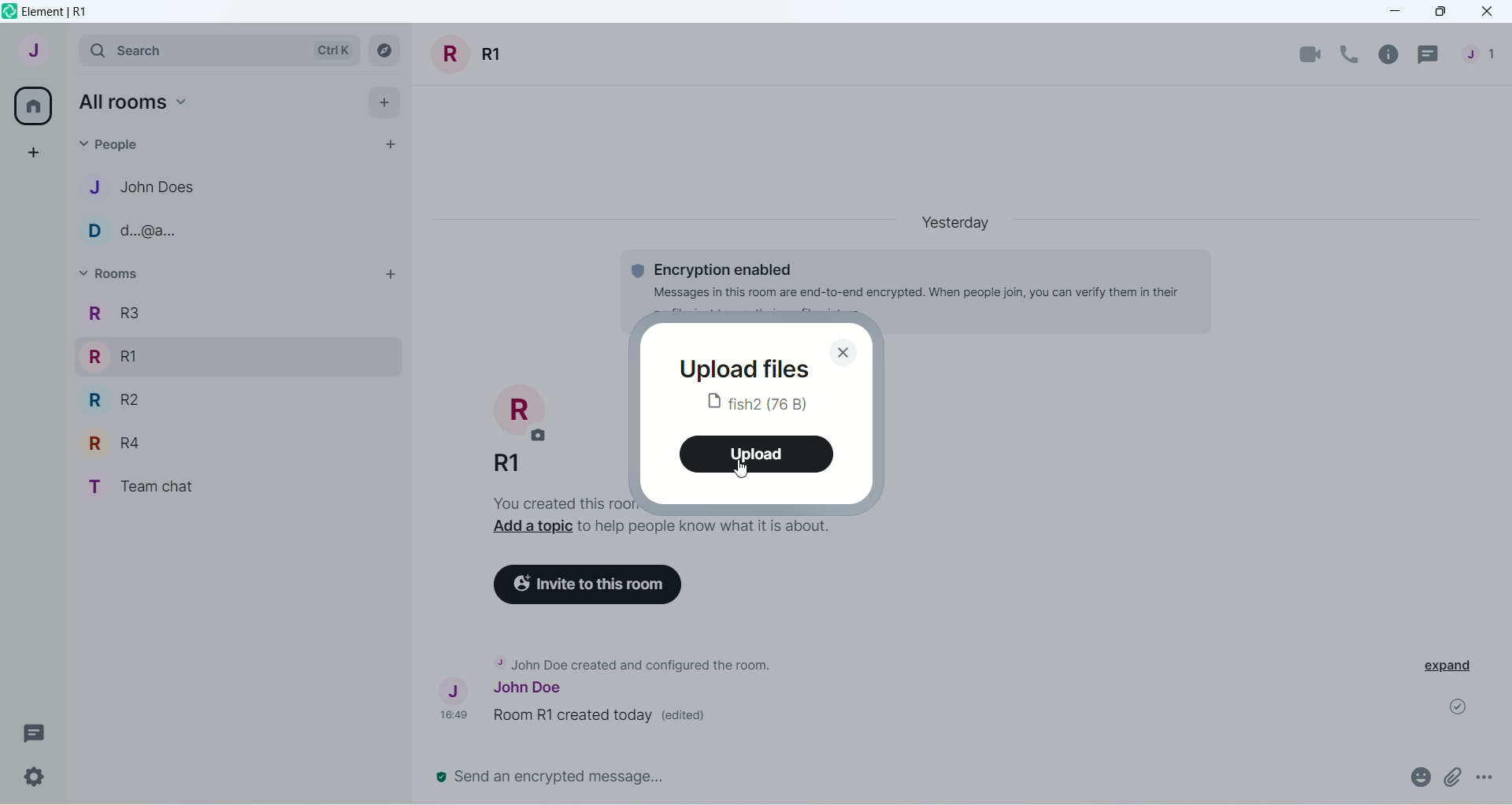  I want to click on you created this room. This is the start of R1. Add a topic to help people know what is about., so click(665, 514).